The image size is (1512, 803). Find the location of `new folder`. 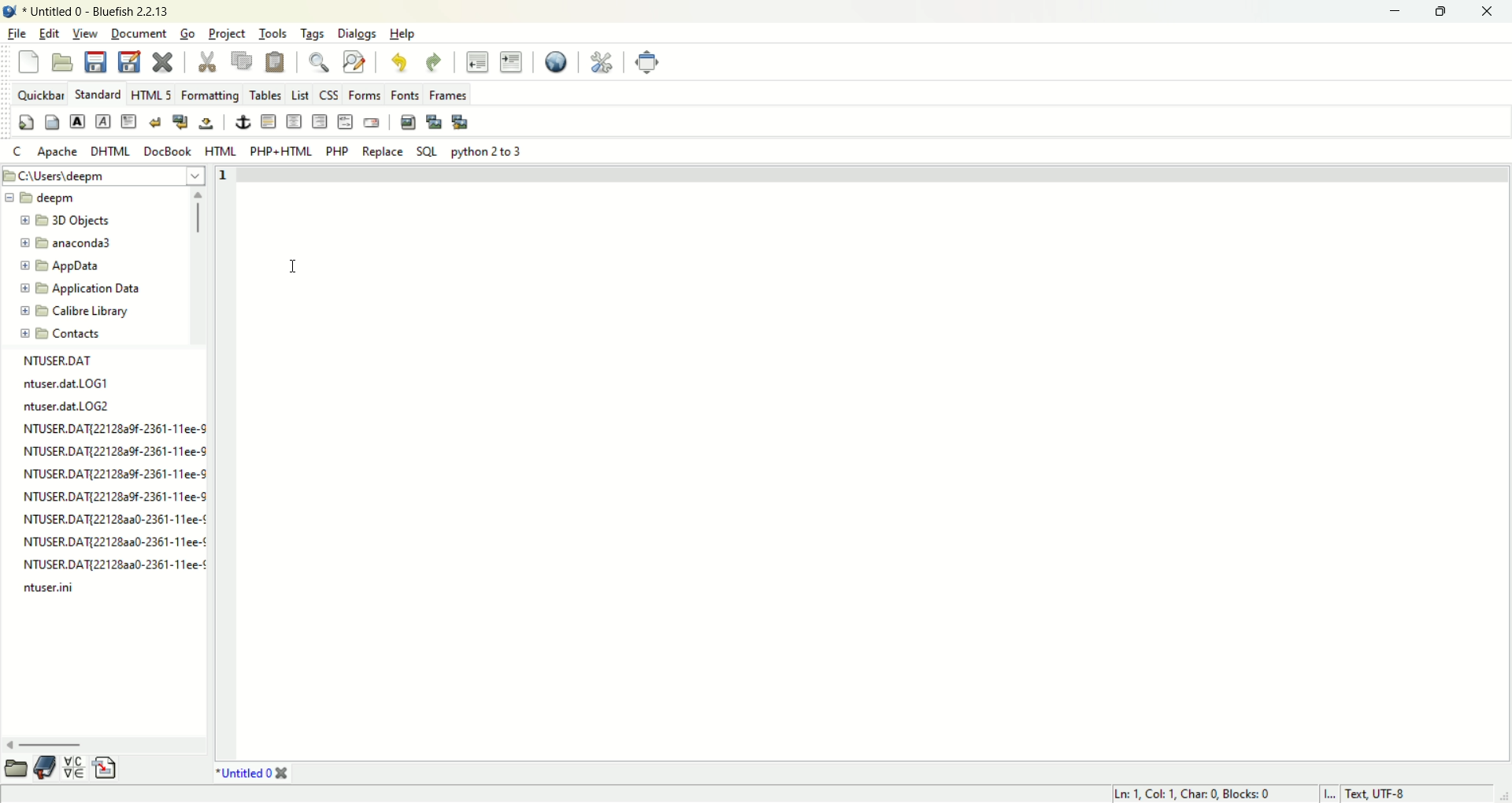

new folder is located at coordinates (61, 198).